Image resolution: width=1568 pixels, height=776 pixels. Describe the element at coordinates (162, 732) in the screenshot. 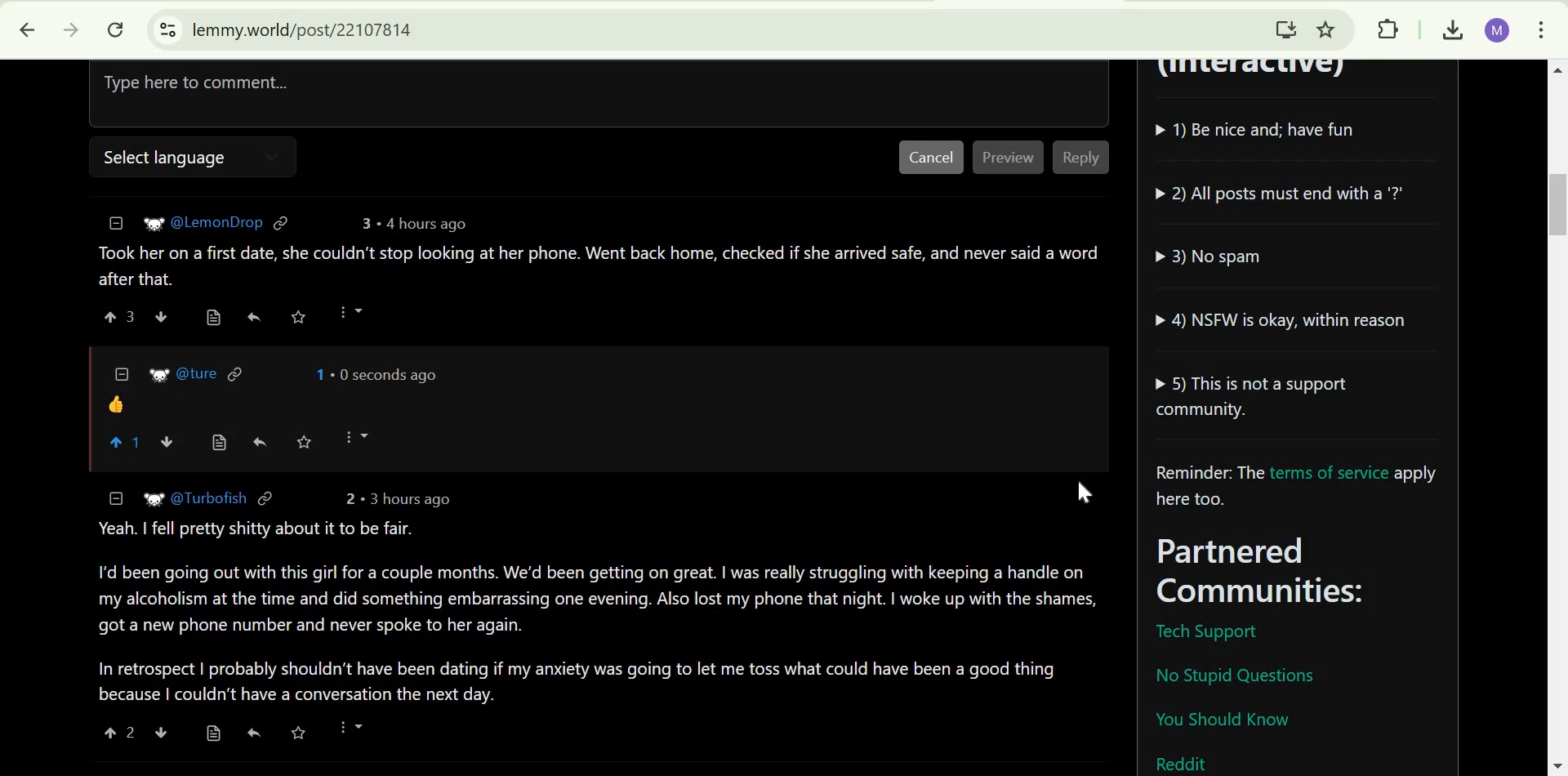

I see `downvote` at that location.